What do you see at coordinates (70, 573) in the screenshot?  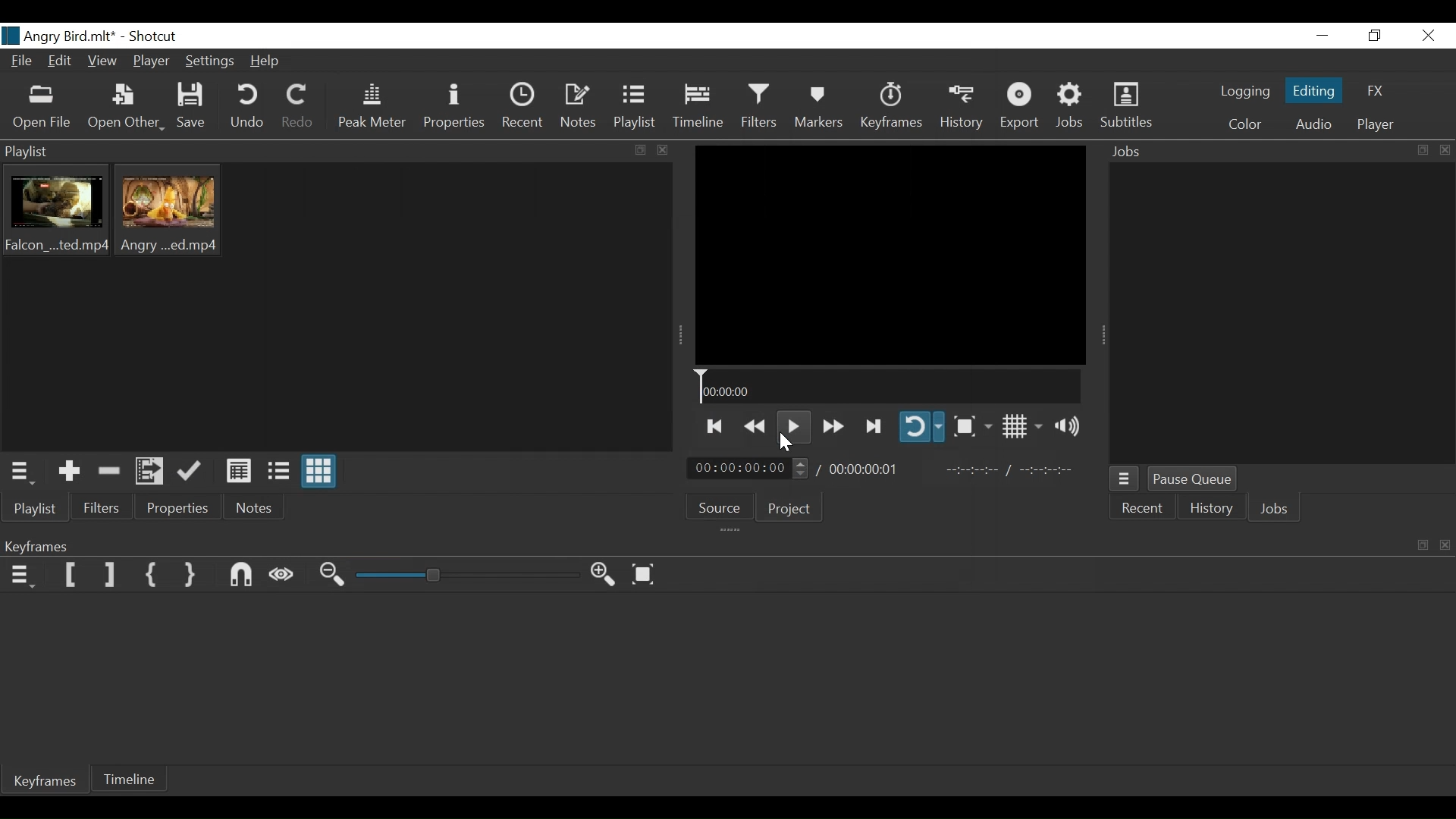 I see `Set Filter Keyframe ` at bounding box center [70, 573].